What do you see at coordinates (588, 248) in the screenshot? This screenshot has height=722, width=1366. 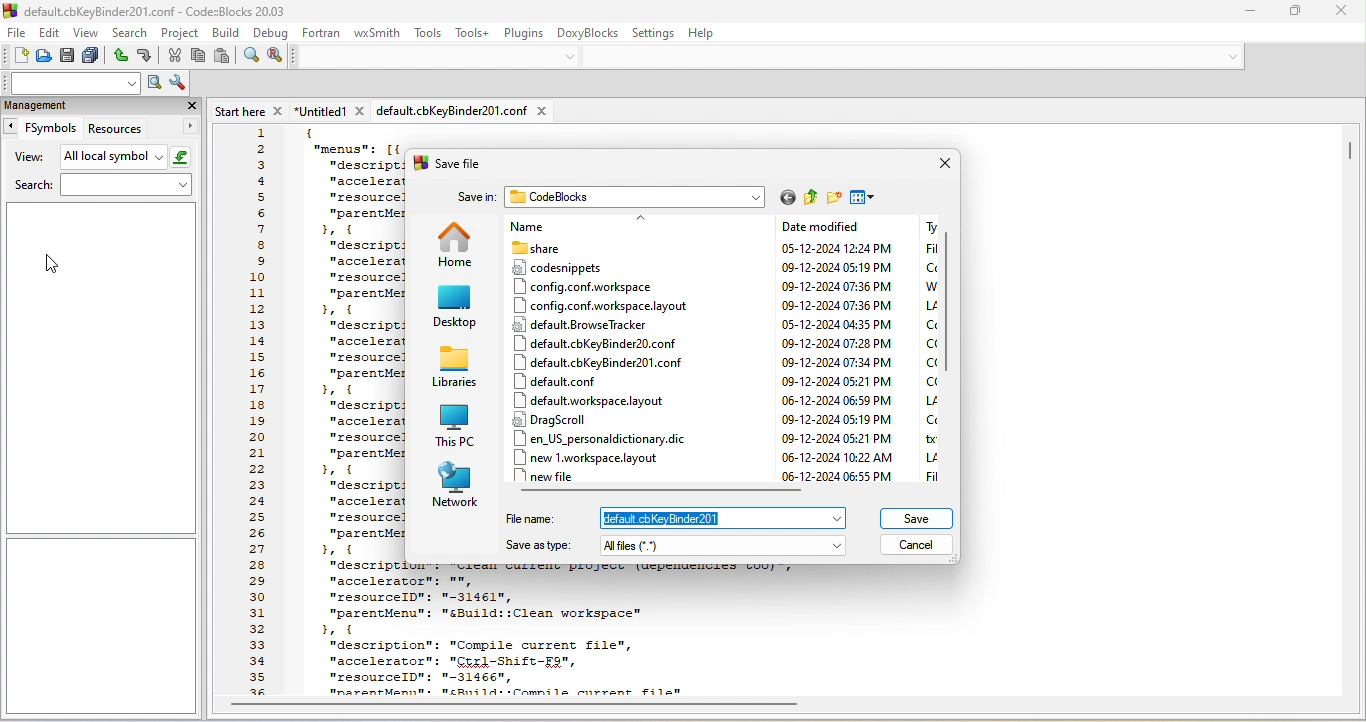 I see `share` at bounding box center [588, 248].